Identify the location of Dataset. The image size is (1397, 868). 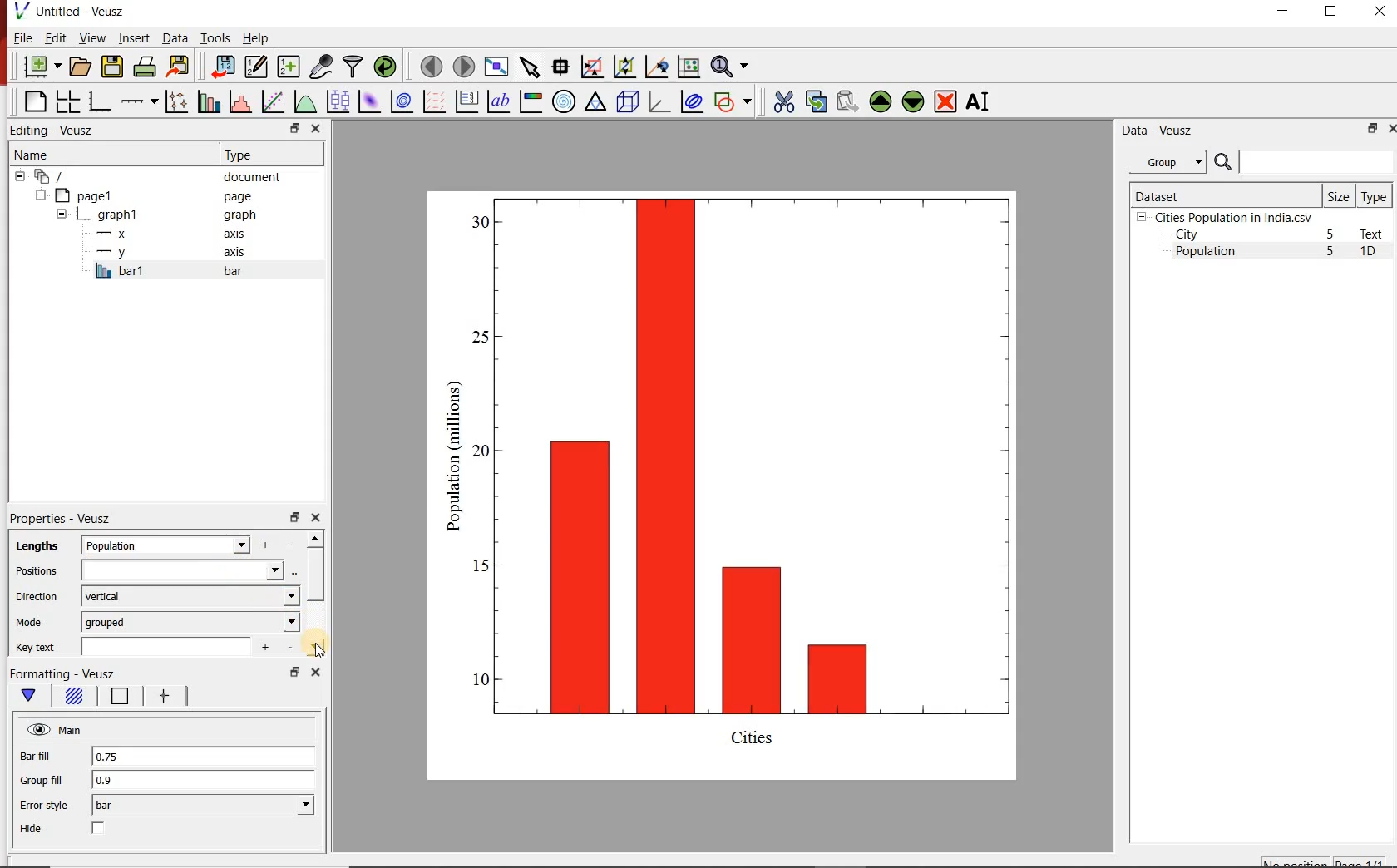
(1223, 195).